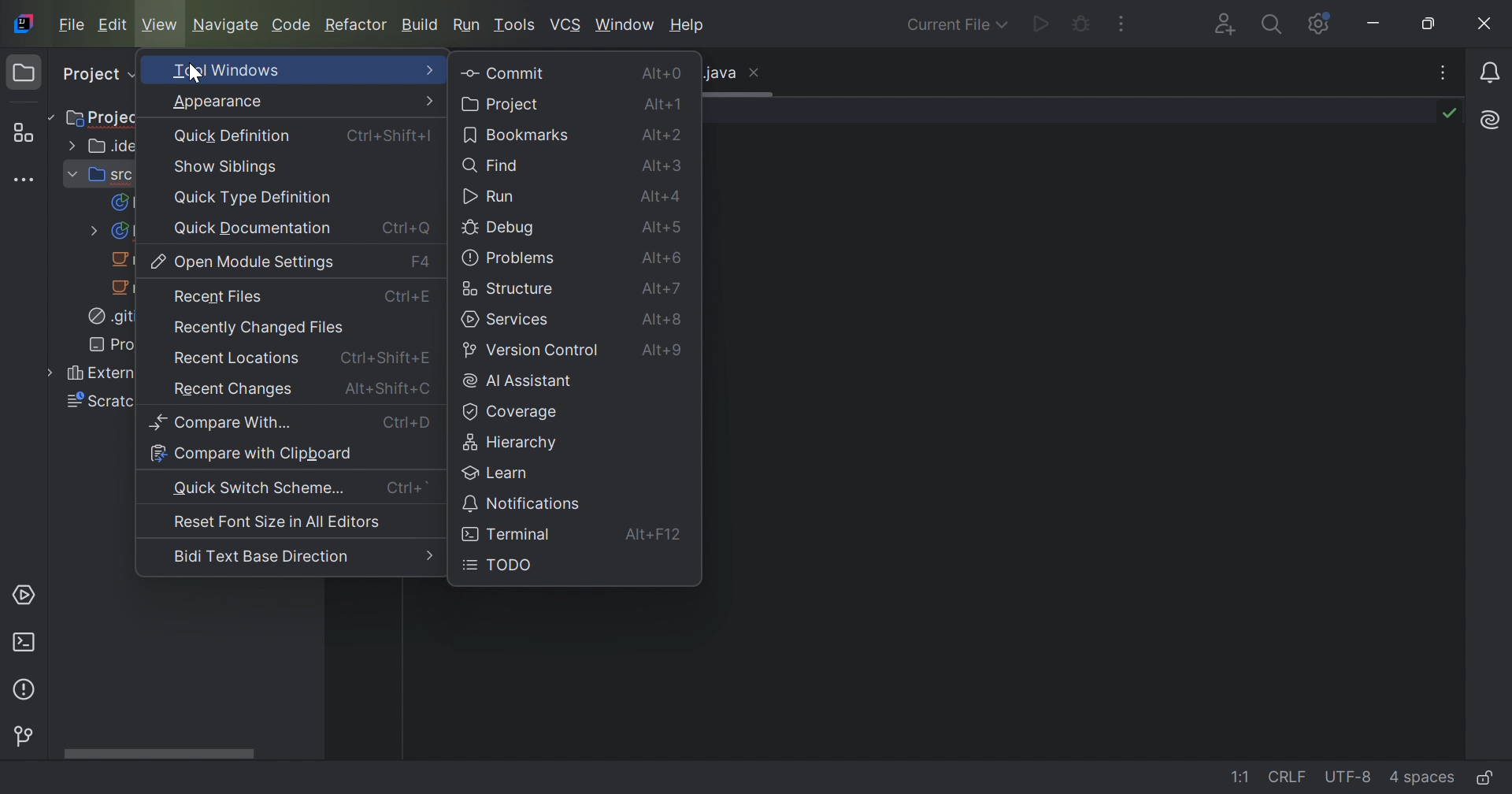 The width and height of the screenshot is (1512, 794). What do you see at coordinates (227, 167) in the screenshot?
I see `Show Siblings` at bounding box center [227, 167].